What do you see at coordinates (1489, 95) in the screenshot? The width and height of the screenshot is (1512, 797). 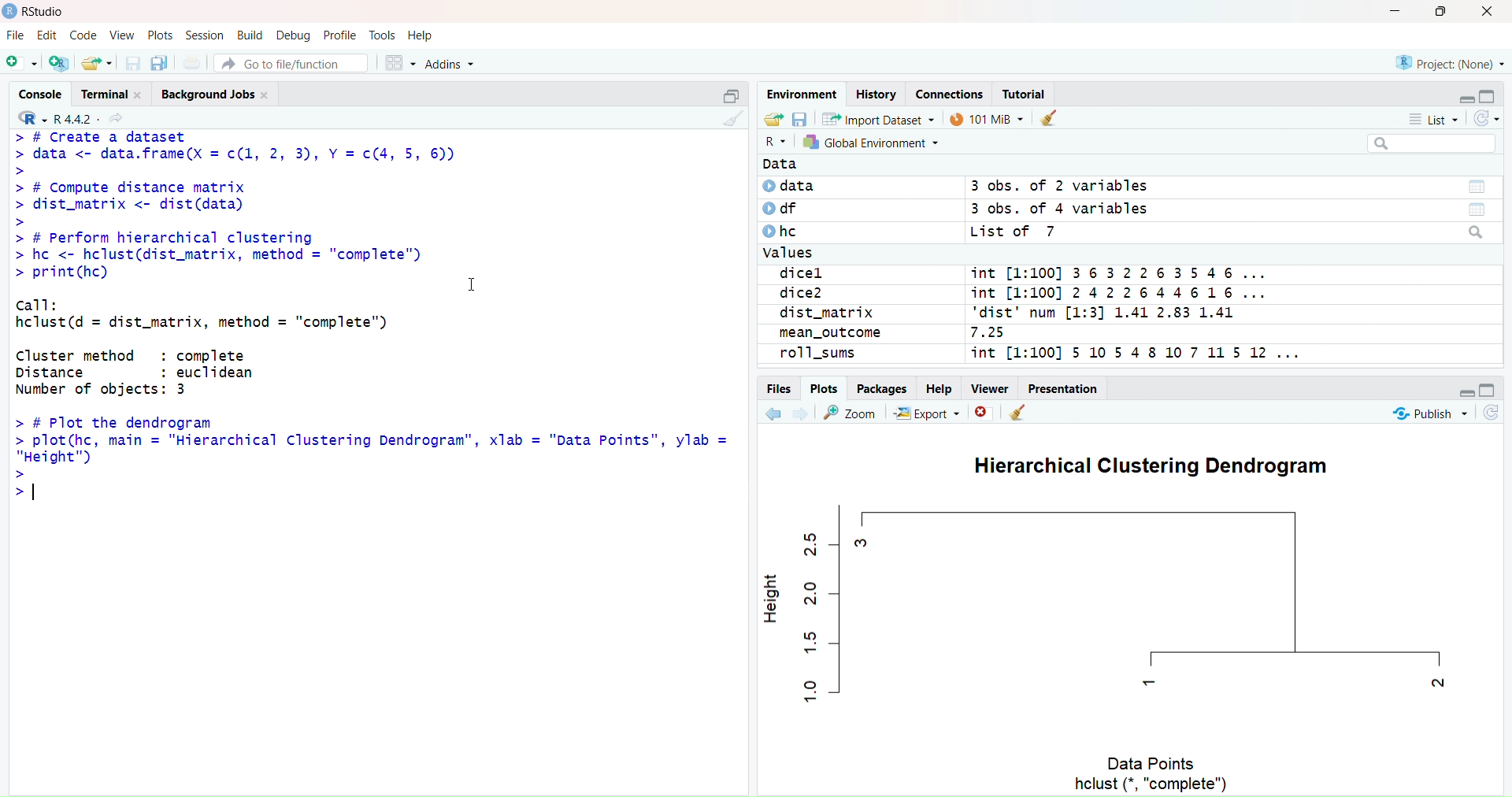 I see `Maximize` at bounding box center [1489, 95].